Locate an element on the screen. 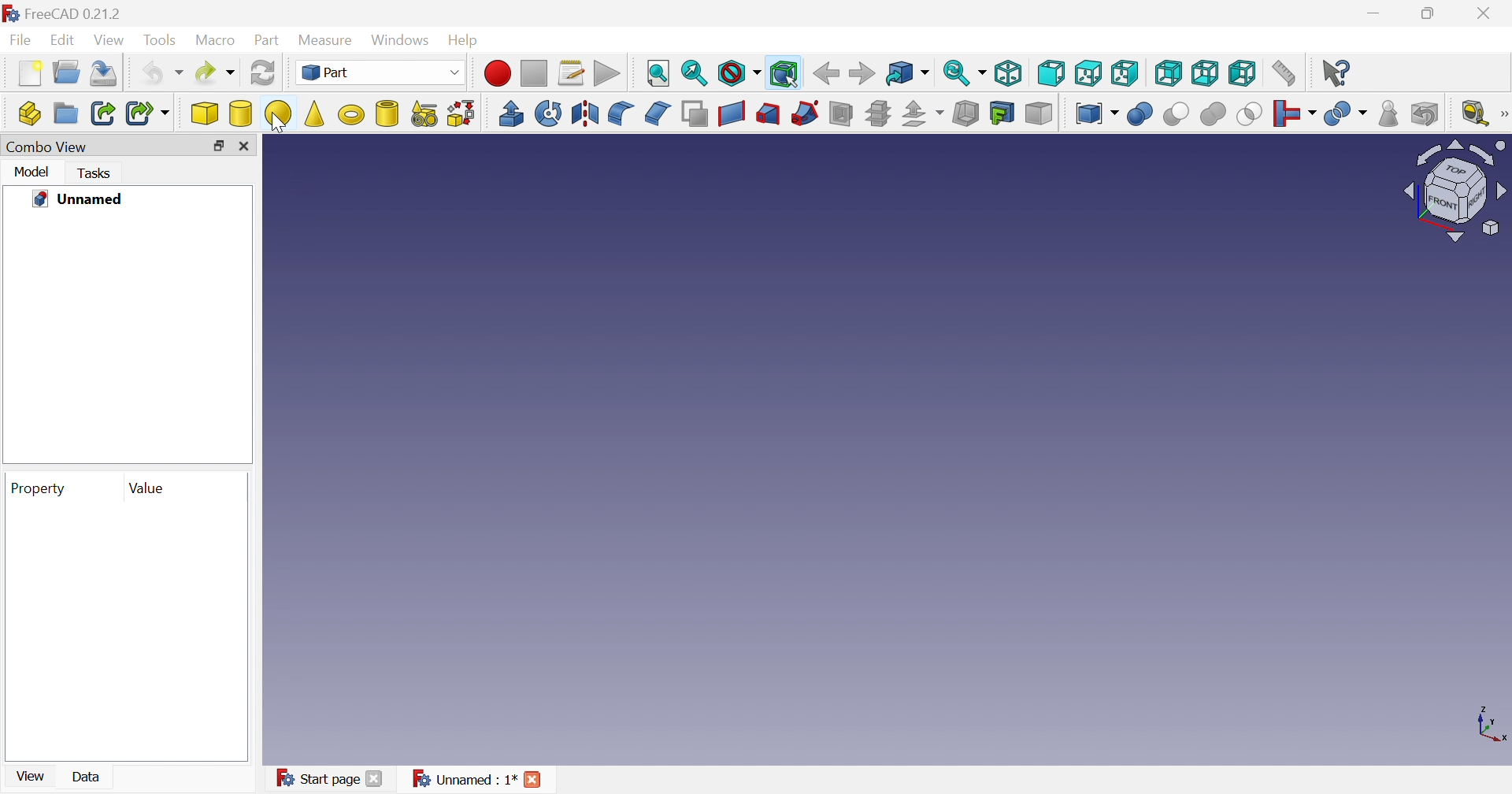 This screenshot has width=1512, height=794. Color per face is located at coordinates (1038, 114).